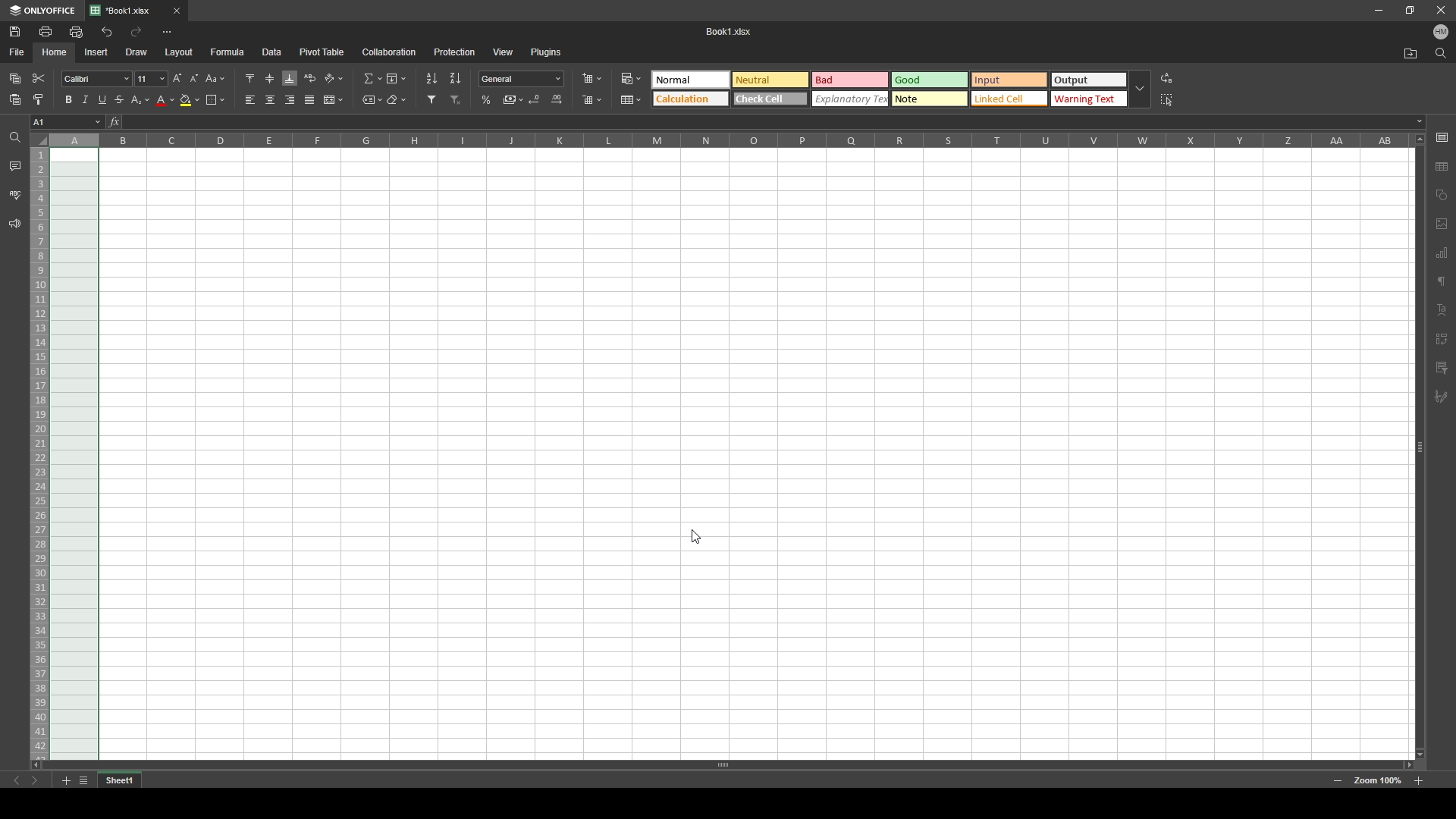  What do you see at coordinates (290, 78) in the screenshot?
I see `align bottom` at bounding box center [290, 78].